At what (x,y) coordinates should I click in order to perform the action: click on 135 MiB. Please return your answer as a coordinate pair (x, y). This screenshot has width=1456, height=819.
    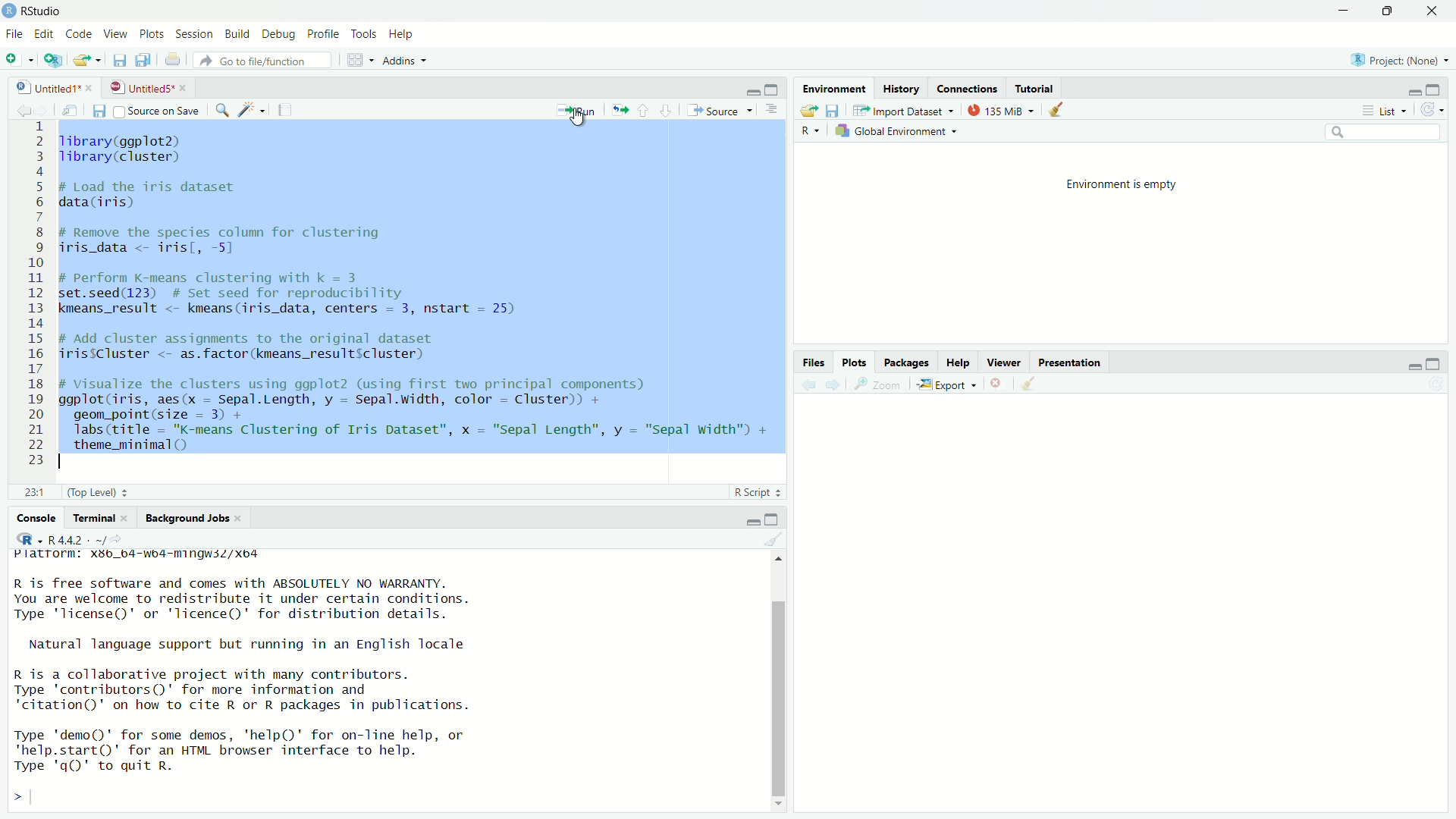
    Looking at the image, I should click on (1000, 109).